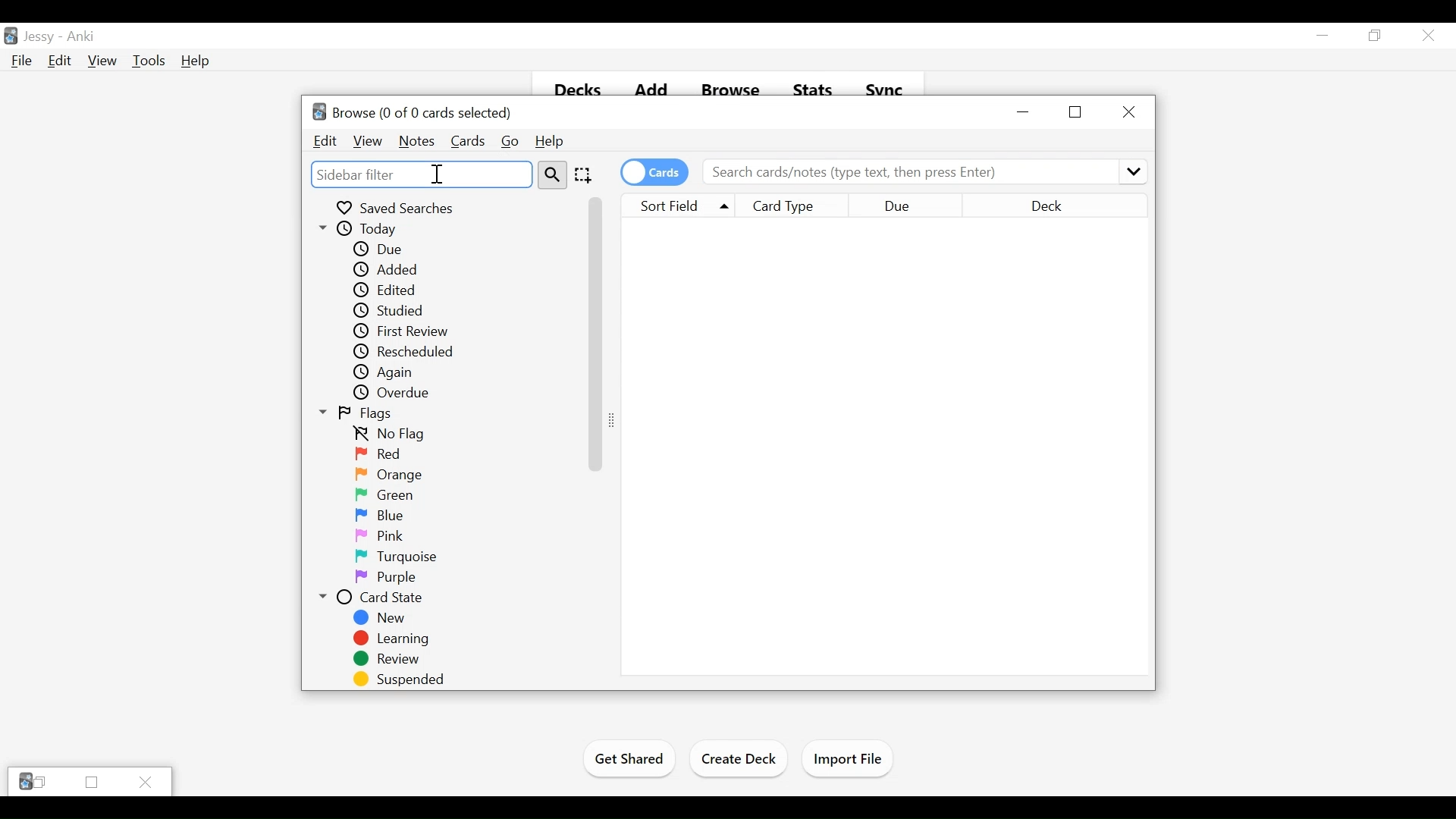 The height and width of the screenshot is (819, 1456). What do you see at coordinates (380, 535) in the screenshot?
I see `Pink` at bounding box center [380, 535].